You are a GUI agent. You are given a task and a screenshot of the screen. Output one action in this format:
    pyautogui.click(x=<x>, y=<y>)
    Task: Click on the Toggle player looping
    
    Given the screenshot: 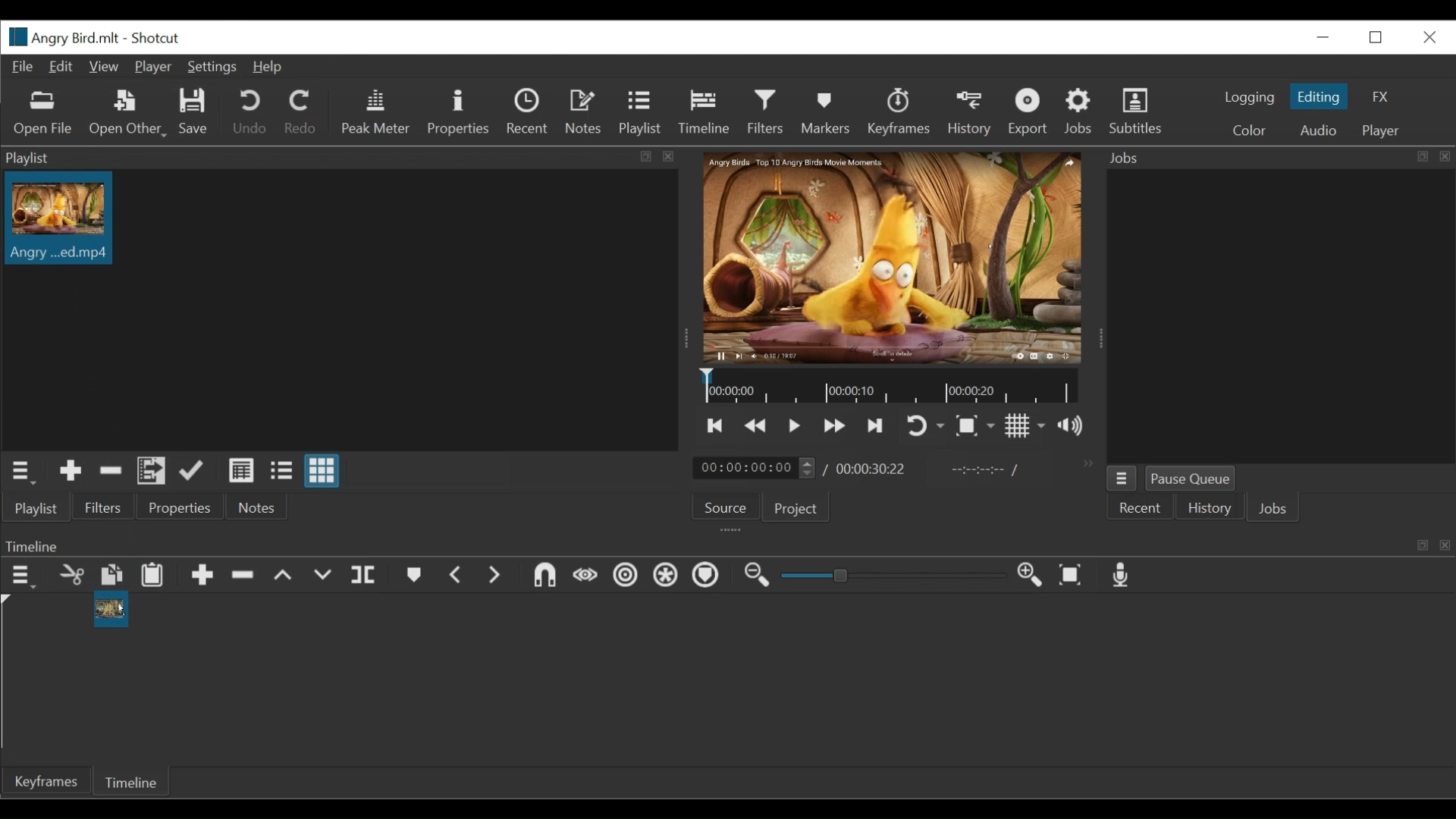 What is the action you would take?
    pyautogui.click(x=921, y=424)
    